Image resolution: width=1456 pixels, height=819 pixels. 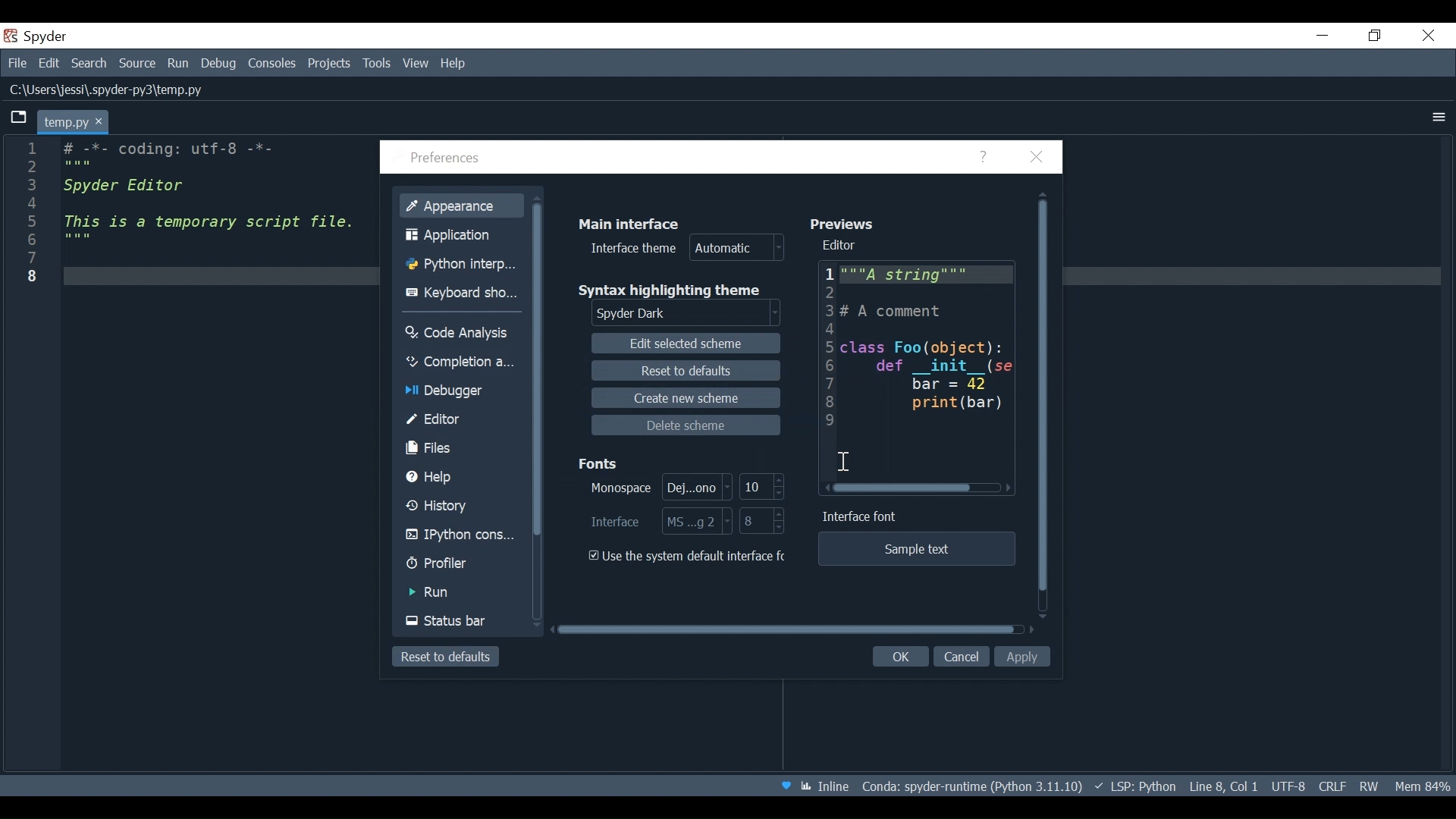 What do you see at coordinates (1332, 785) in the screenshot?
I see `File EQL Stat` at bounding box center [1332, 785].